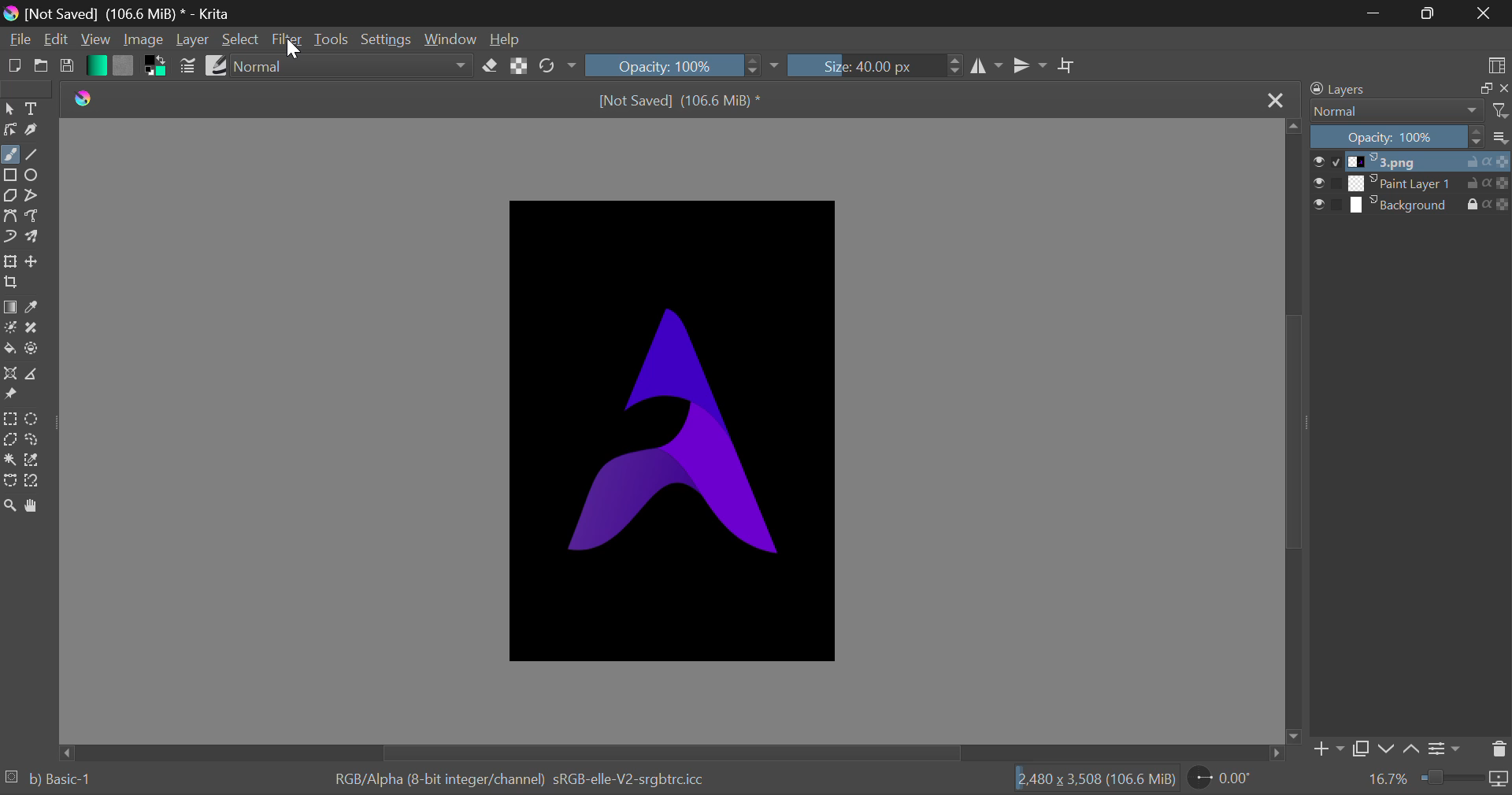 The image size is (1512, 795). I want to click on [Not Saved] (106.6 MiB) * - Krita, so click(143, 11).